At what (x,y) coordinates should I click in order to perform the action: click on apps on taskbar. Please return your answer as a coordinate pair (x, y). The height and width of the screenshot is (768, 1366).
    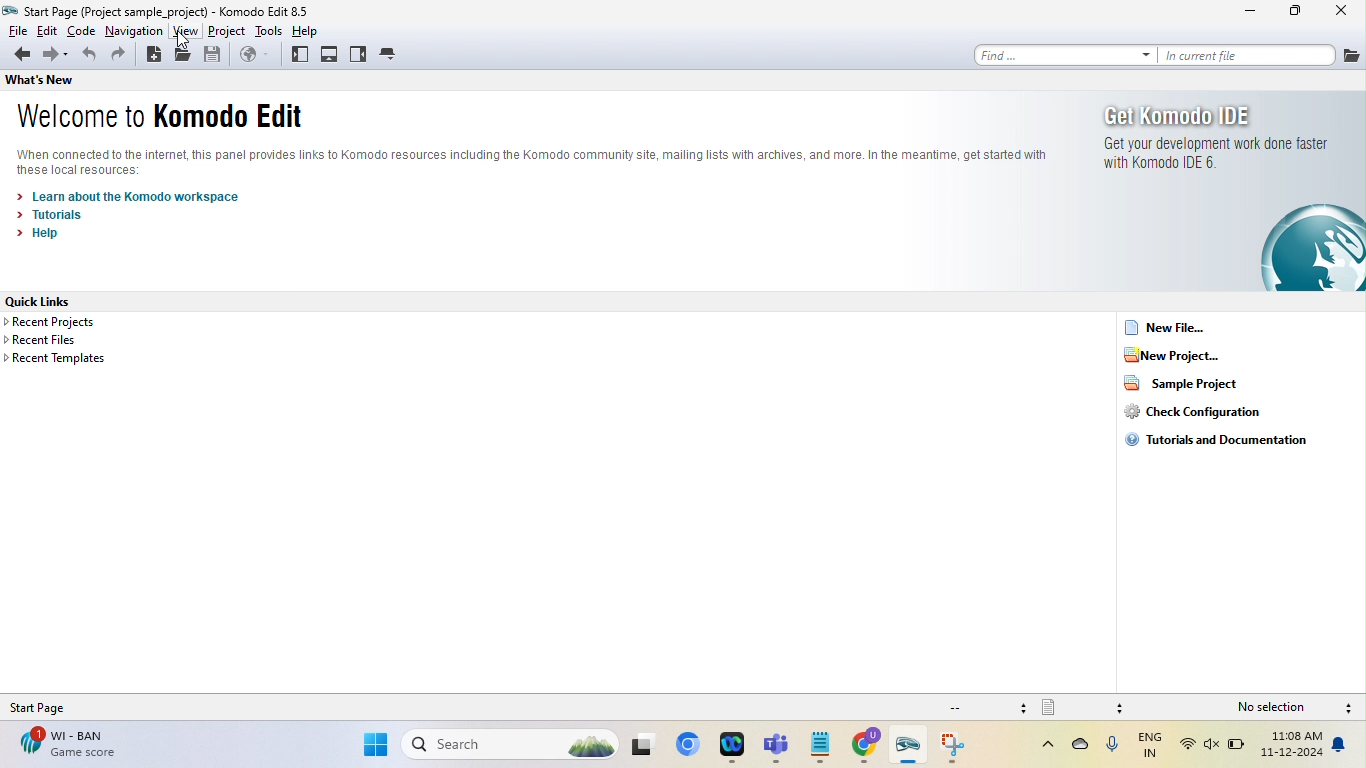
    Looking at the image, I should click on (958, 747).